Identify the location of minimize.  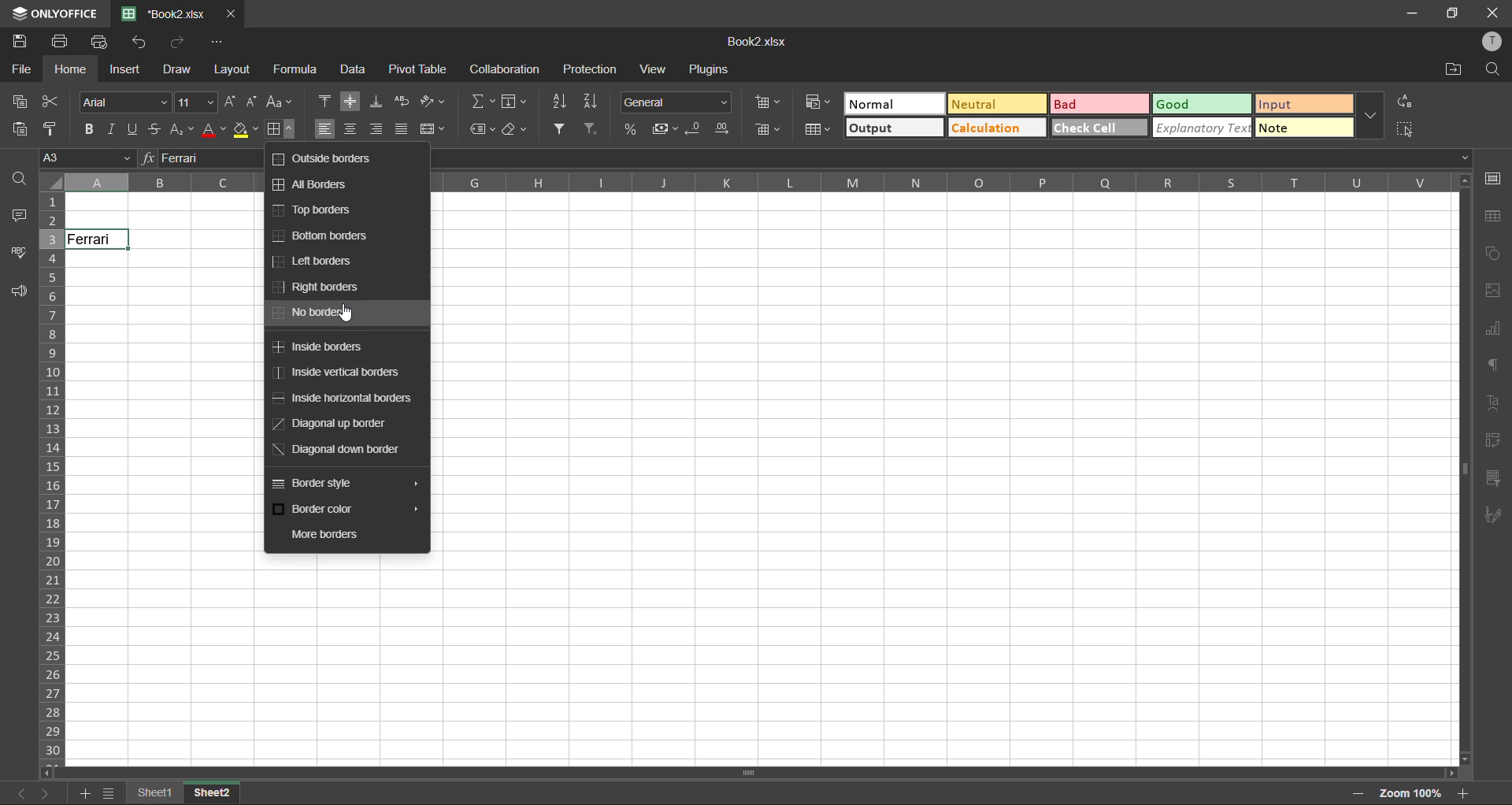
(1419, 14).